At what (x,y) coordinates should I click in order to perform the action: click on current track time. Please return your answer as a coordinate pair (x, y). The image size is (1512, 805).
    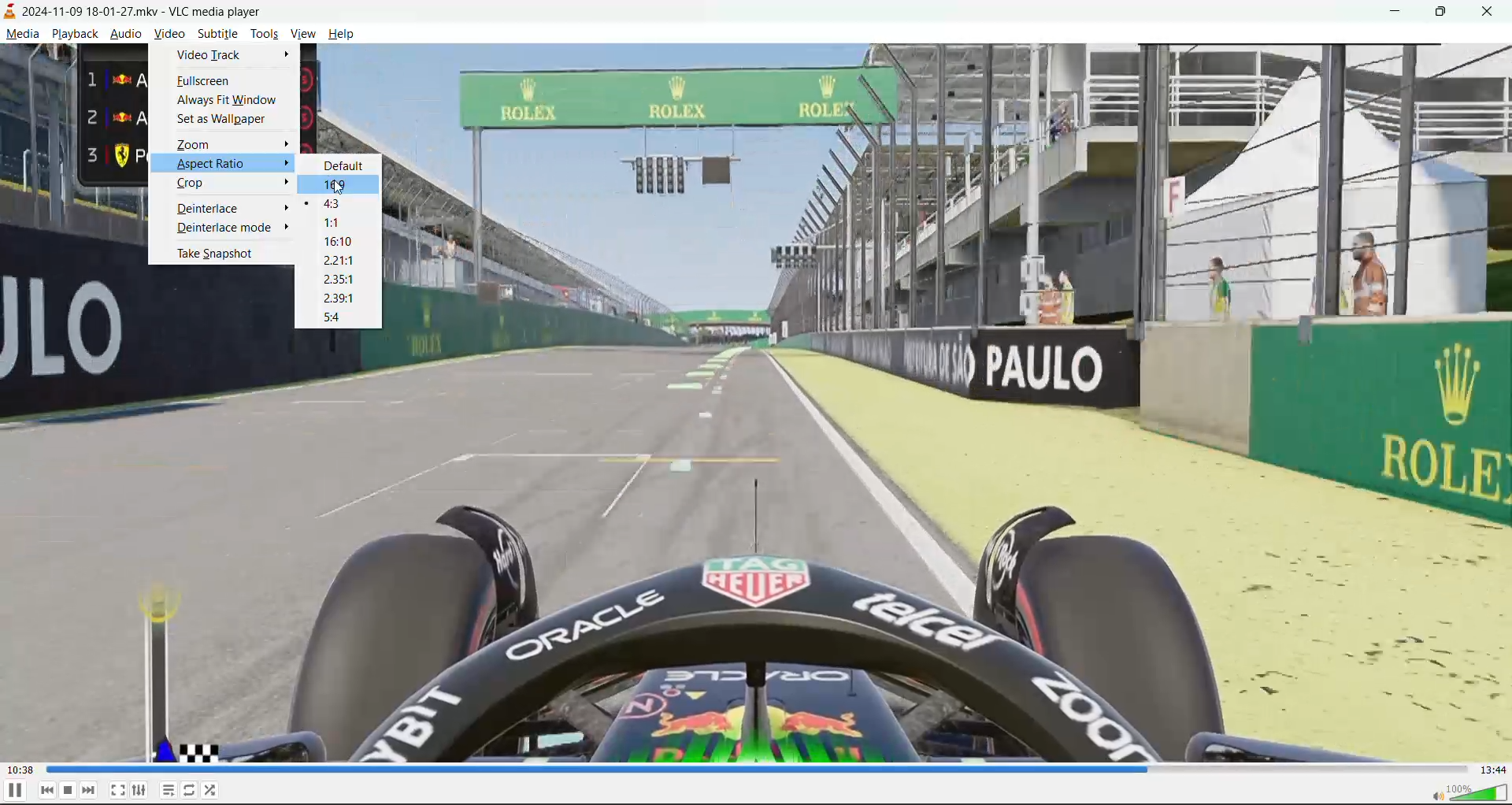
    Looking at the image, I should click on (22, 768).